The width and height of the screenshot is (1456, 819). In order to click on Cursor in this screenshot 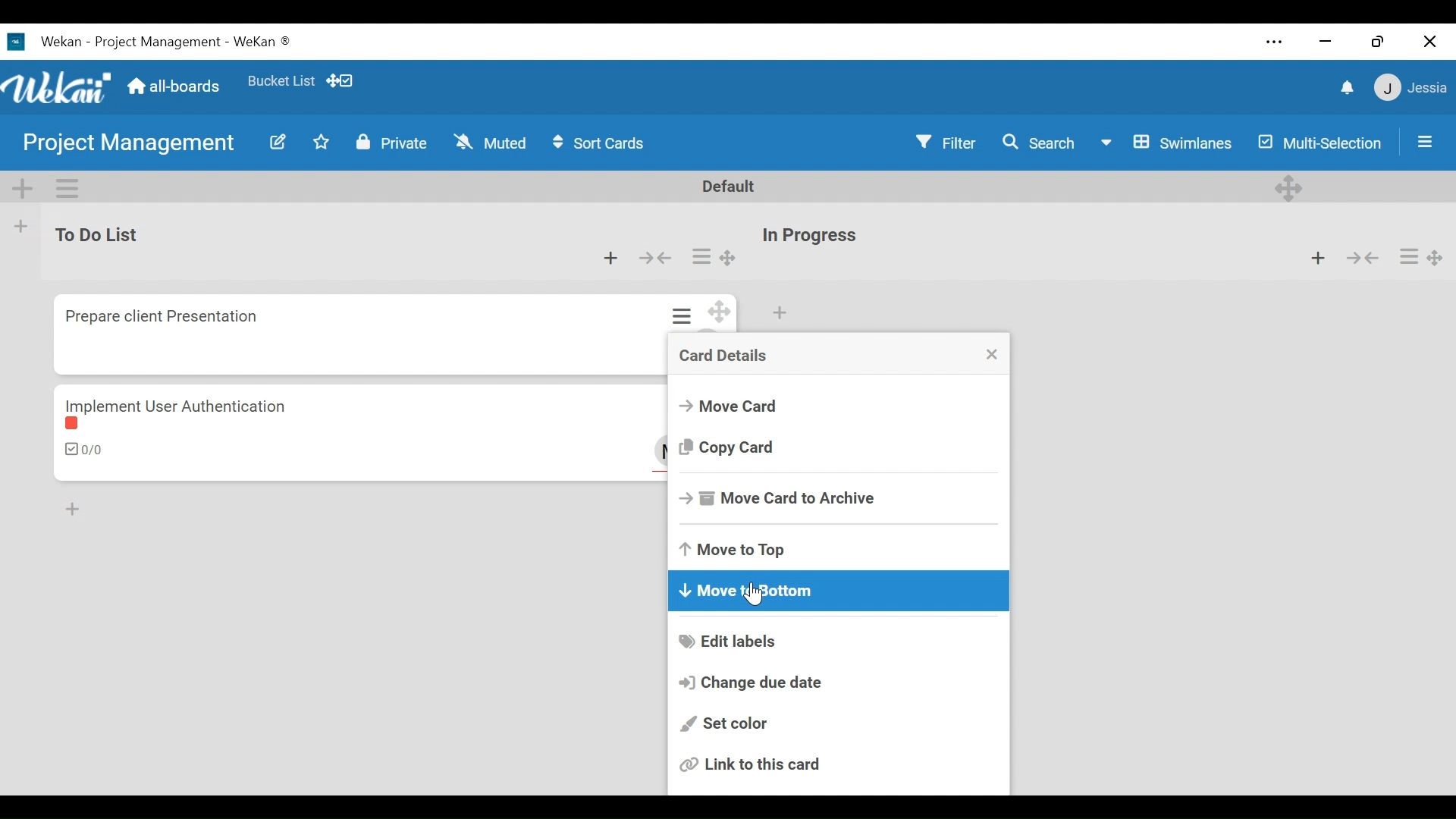, I will do `click(756, 595)`.